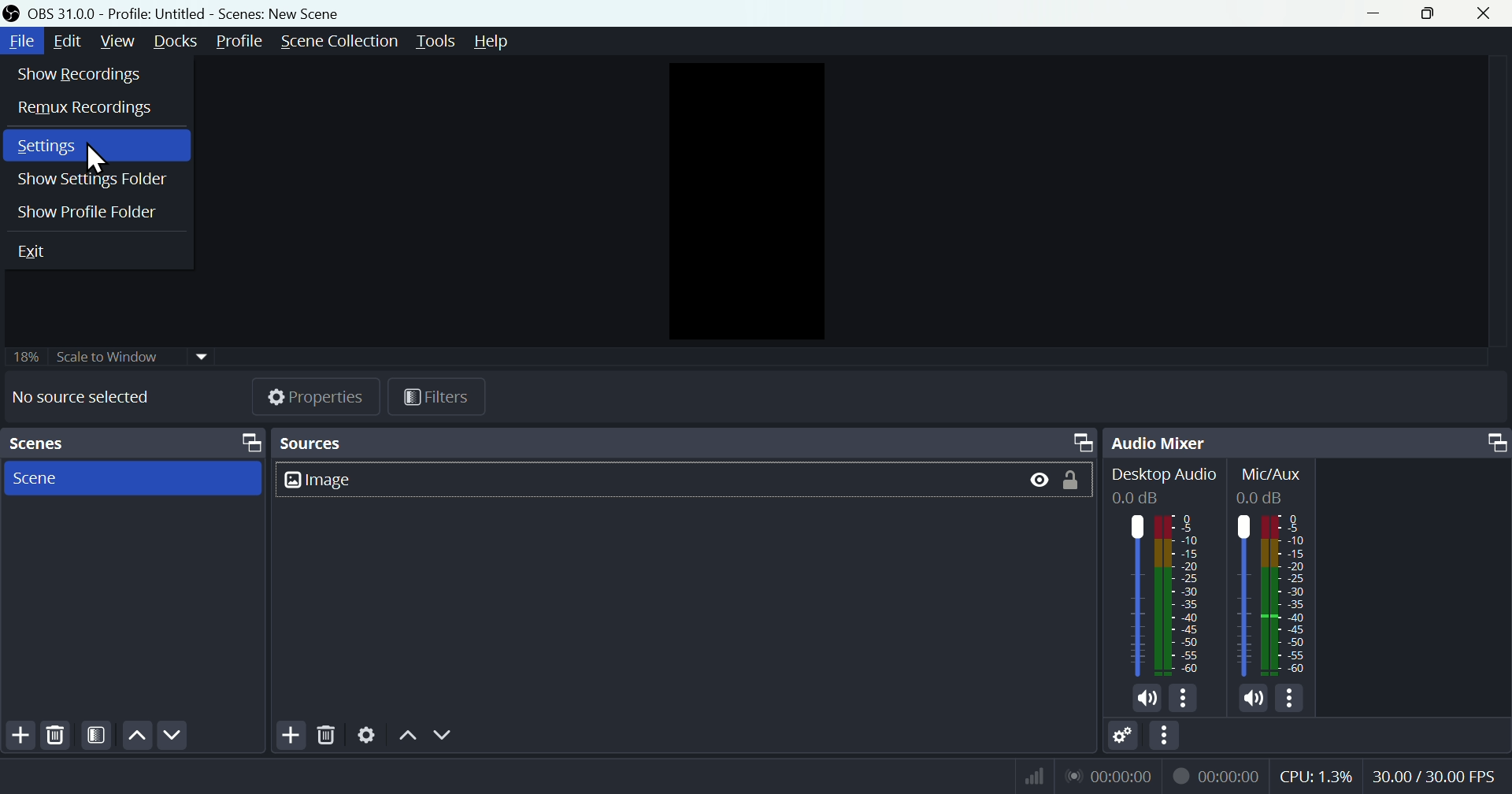  What do you see at coordinates (60, 148) in the screenshot?
I see `Settings` at bounding box center [60, 148].